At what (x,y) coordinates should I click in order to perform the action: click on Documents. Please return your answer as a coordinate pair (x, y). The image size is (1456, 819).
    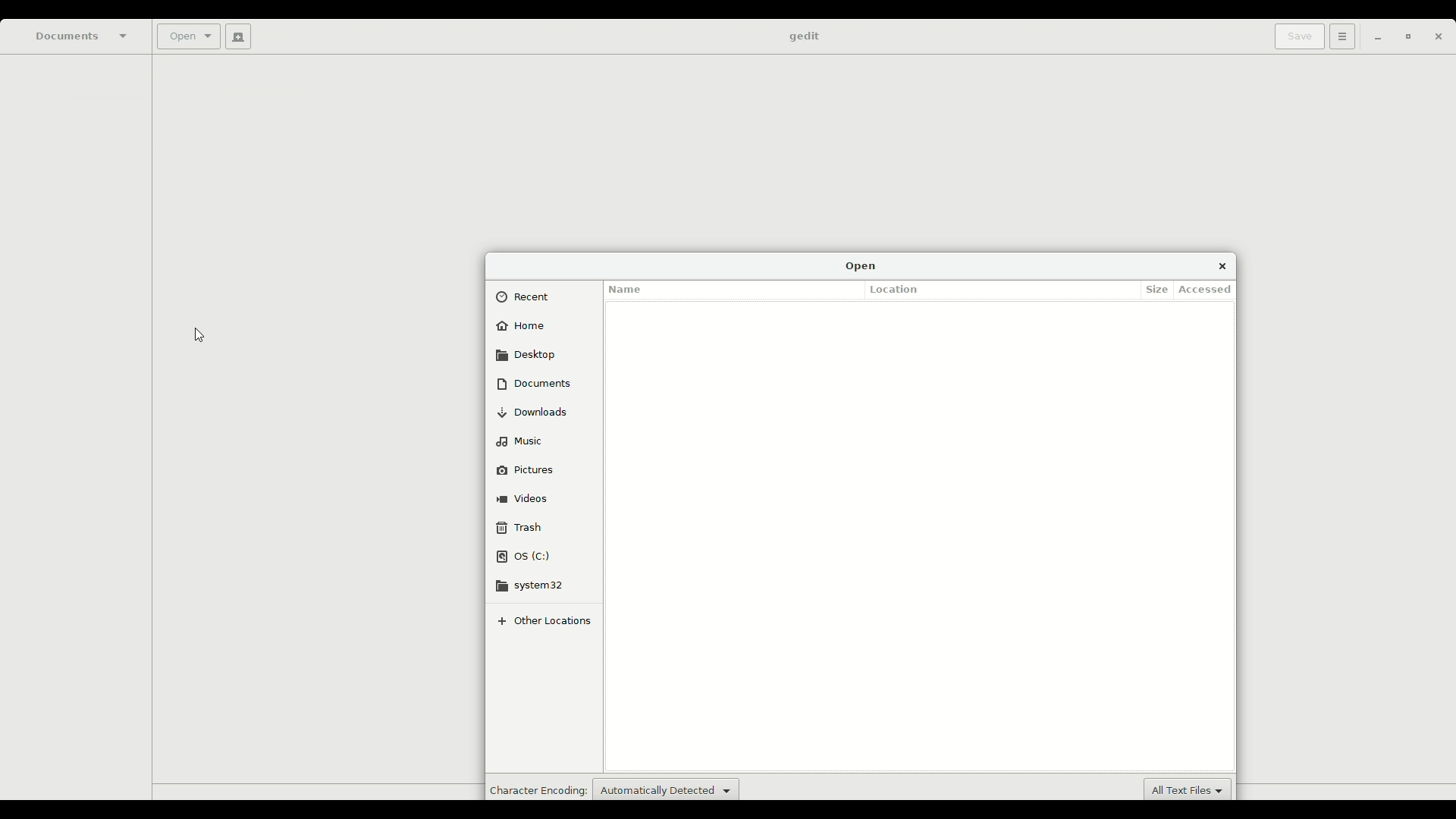
    Looking at the image, I should click on (534, 383).